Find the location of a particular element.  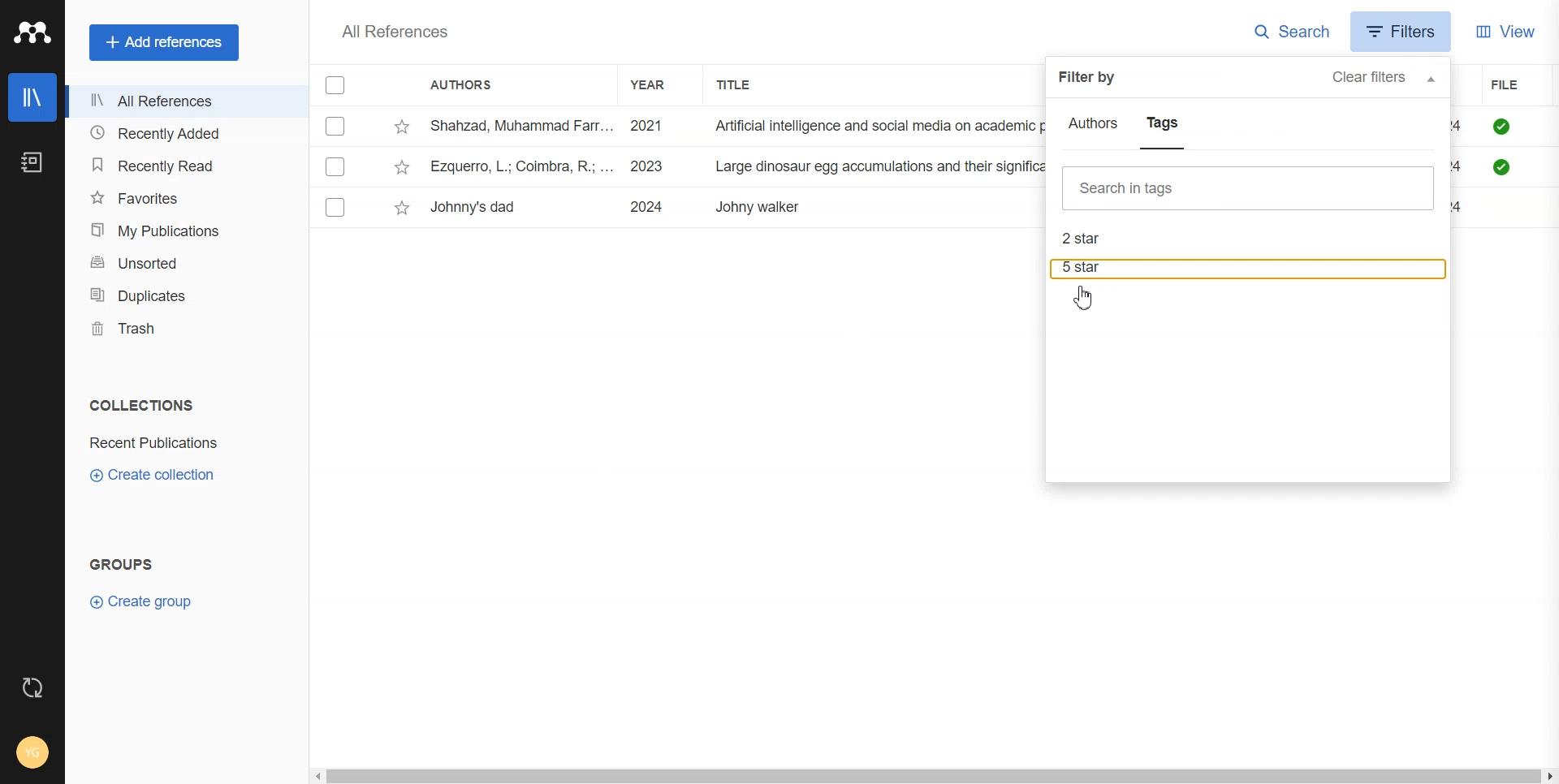

Filter by is located at coordinates (1088, 77).